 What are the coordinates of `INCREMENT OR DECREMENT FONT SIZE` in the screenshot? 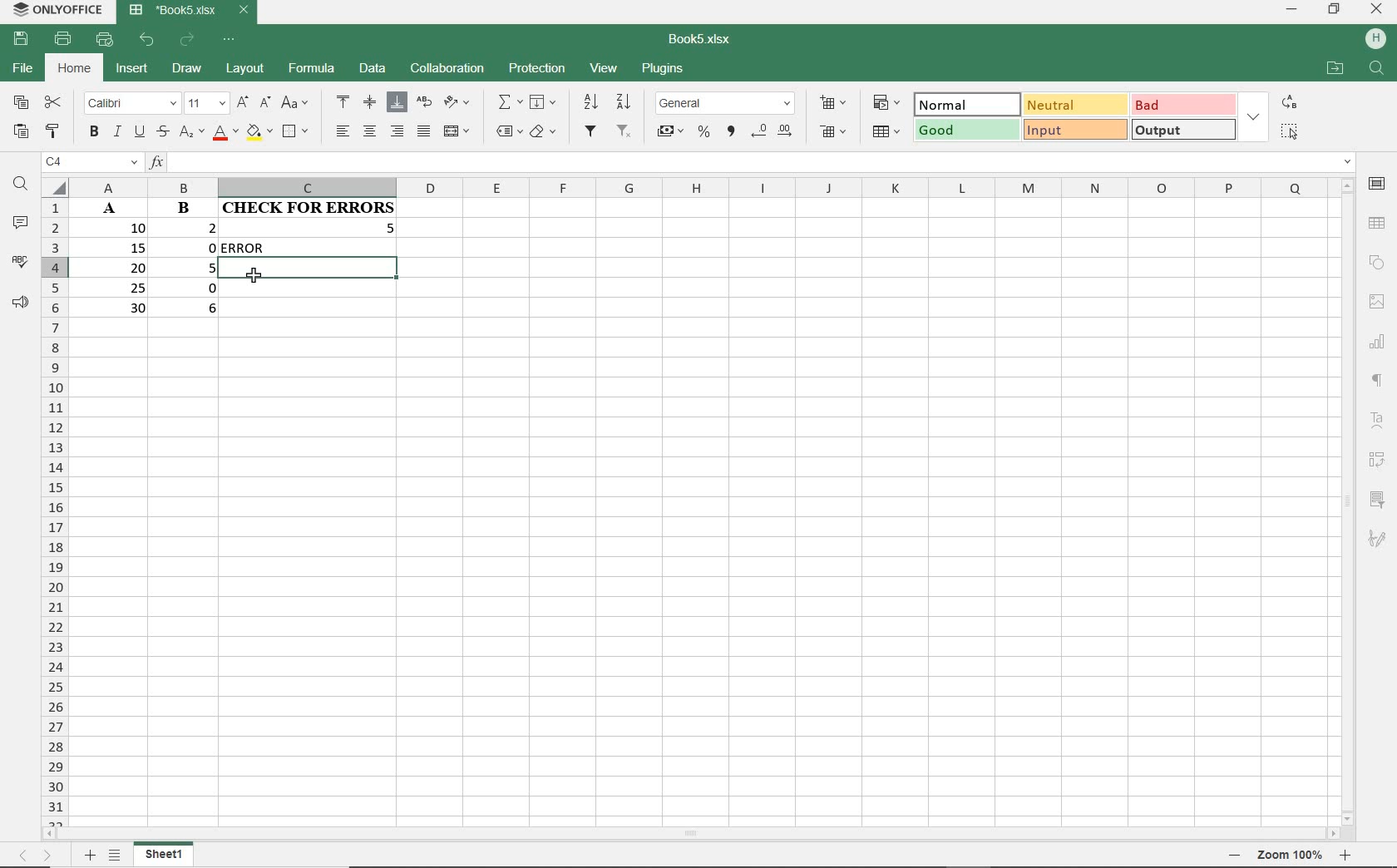 It's located at (253, 104).